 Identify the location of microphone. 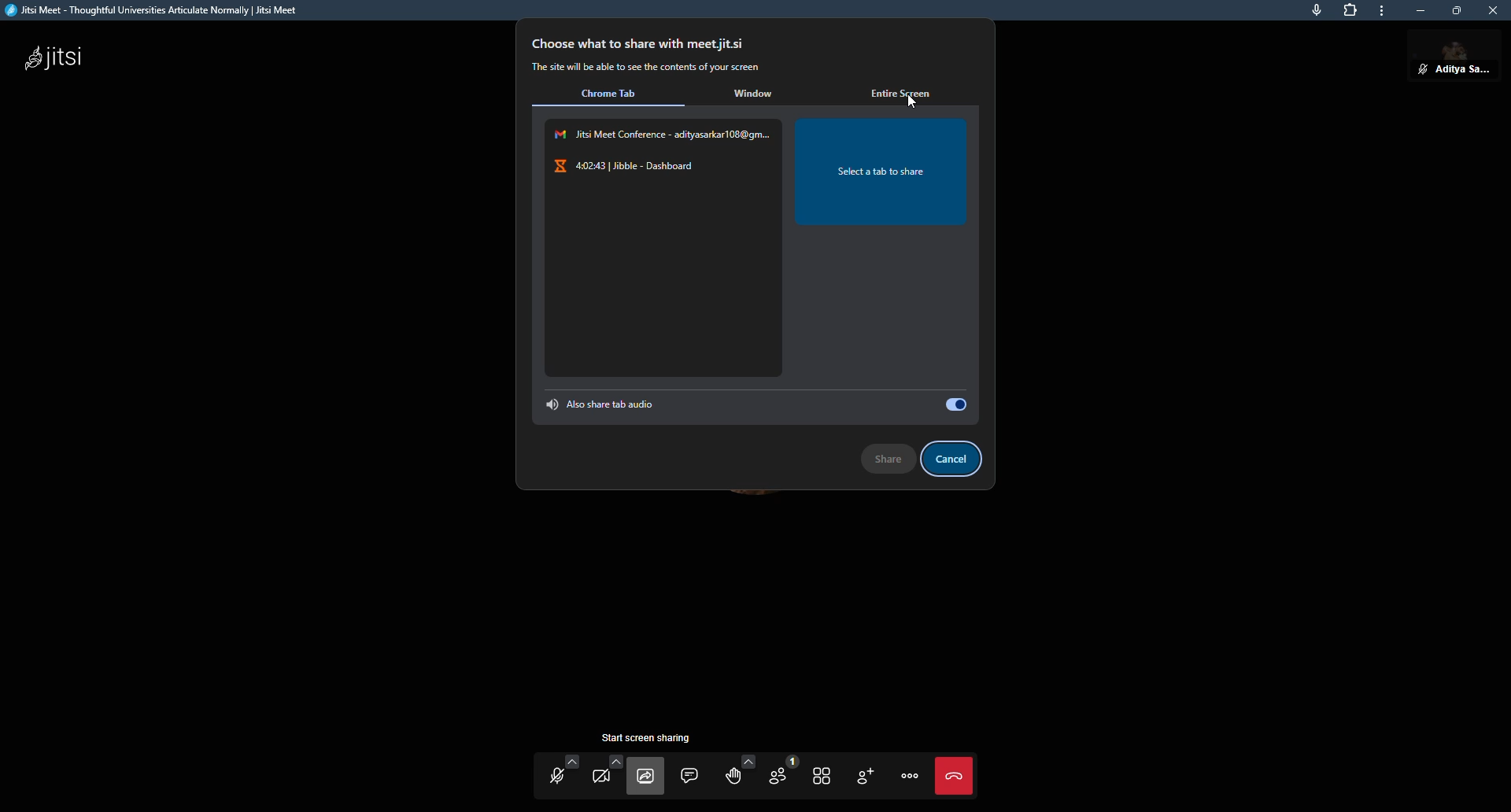
(1310, 13).